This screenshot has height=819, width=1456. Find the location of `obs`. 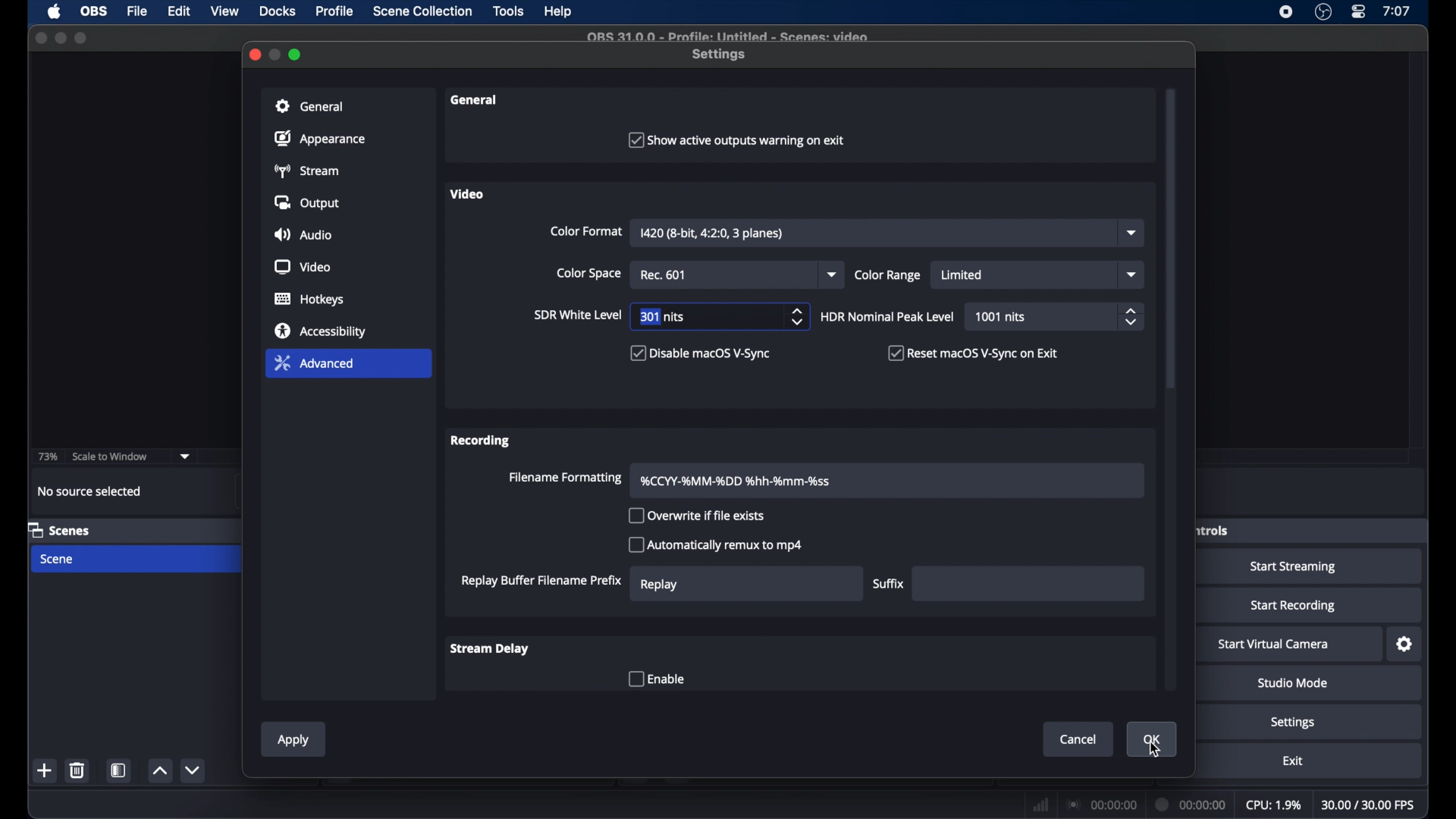

obs is located at coordinates (94, 10).